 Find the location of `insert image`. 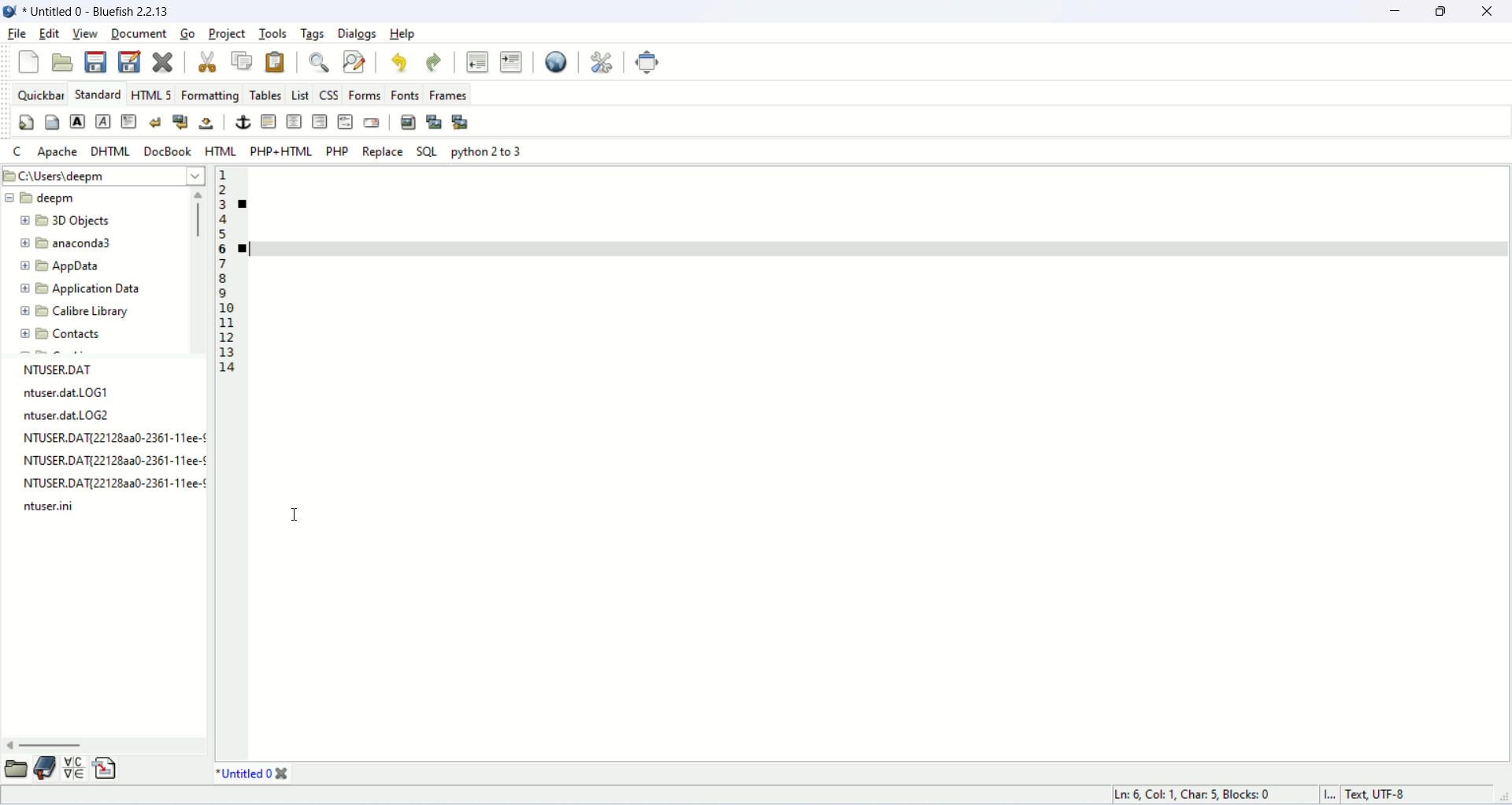

insert image is located at coordinates (409, 121).